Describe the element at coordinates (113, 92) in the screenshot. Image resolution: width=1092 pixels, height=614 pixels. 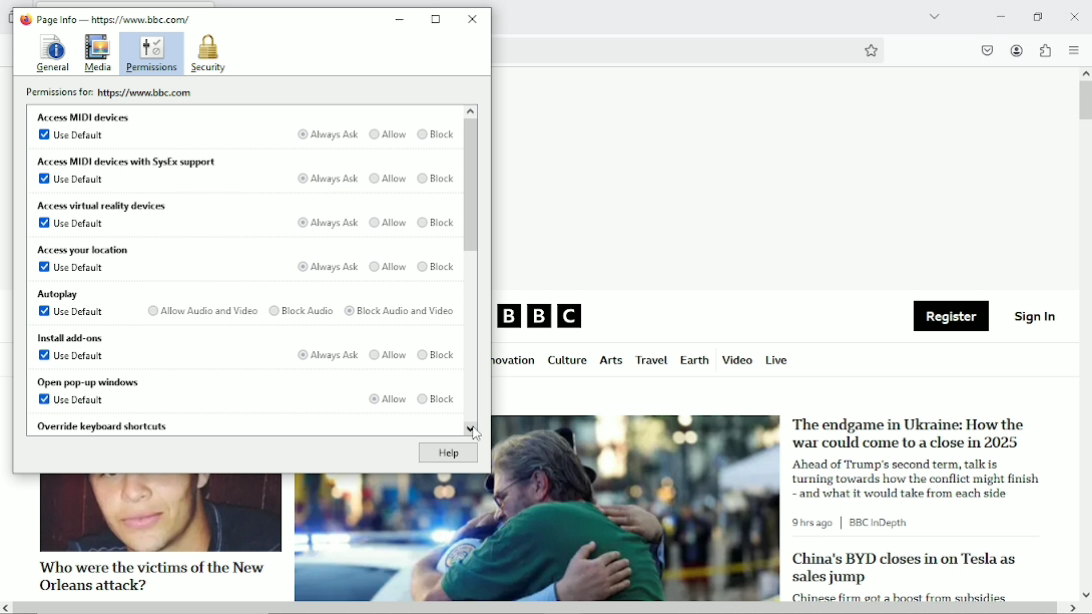
I see `Permissions tor https://www.bbc.com` at that location.